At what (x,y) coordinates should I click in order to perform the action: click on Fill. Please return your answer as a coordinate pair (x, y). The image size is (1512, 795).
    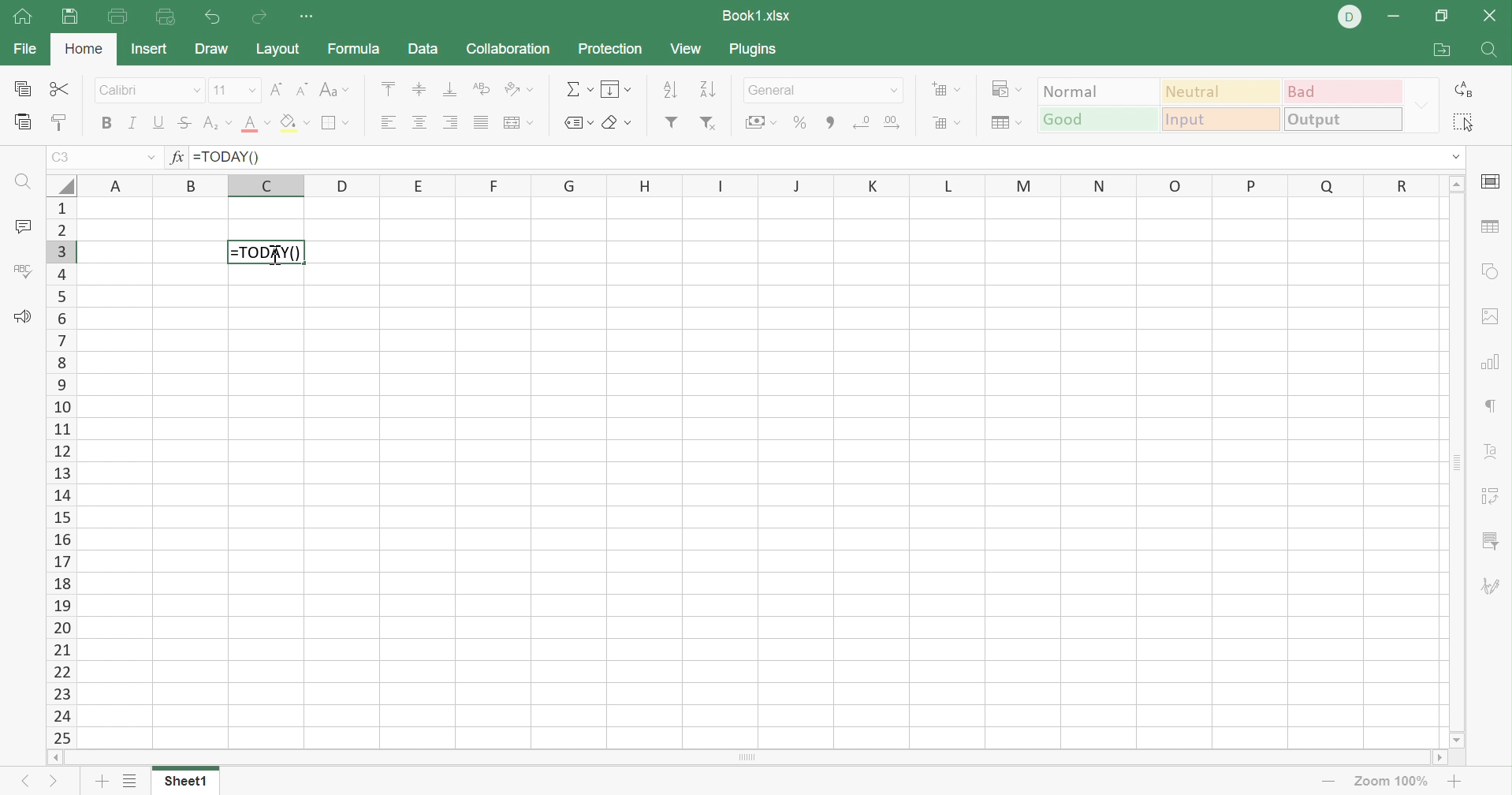
    Looking at the image, I should click on (616, 90).